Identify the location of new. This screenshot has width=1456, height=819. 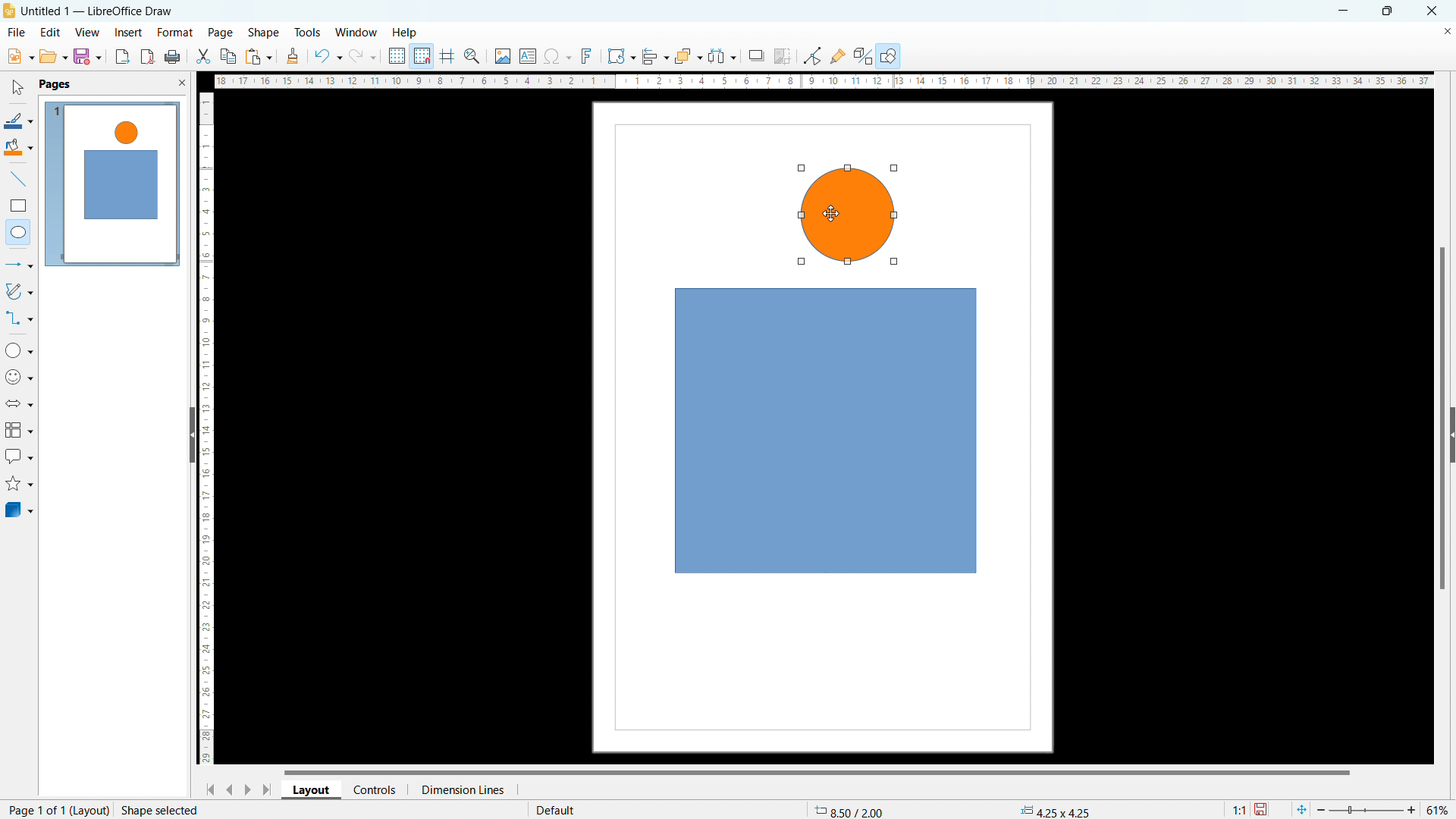
(20, 56).